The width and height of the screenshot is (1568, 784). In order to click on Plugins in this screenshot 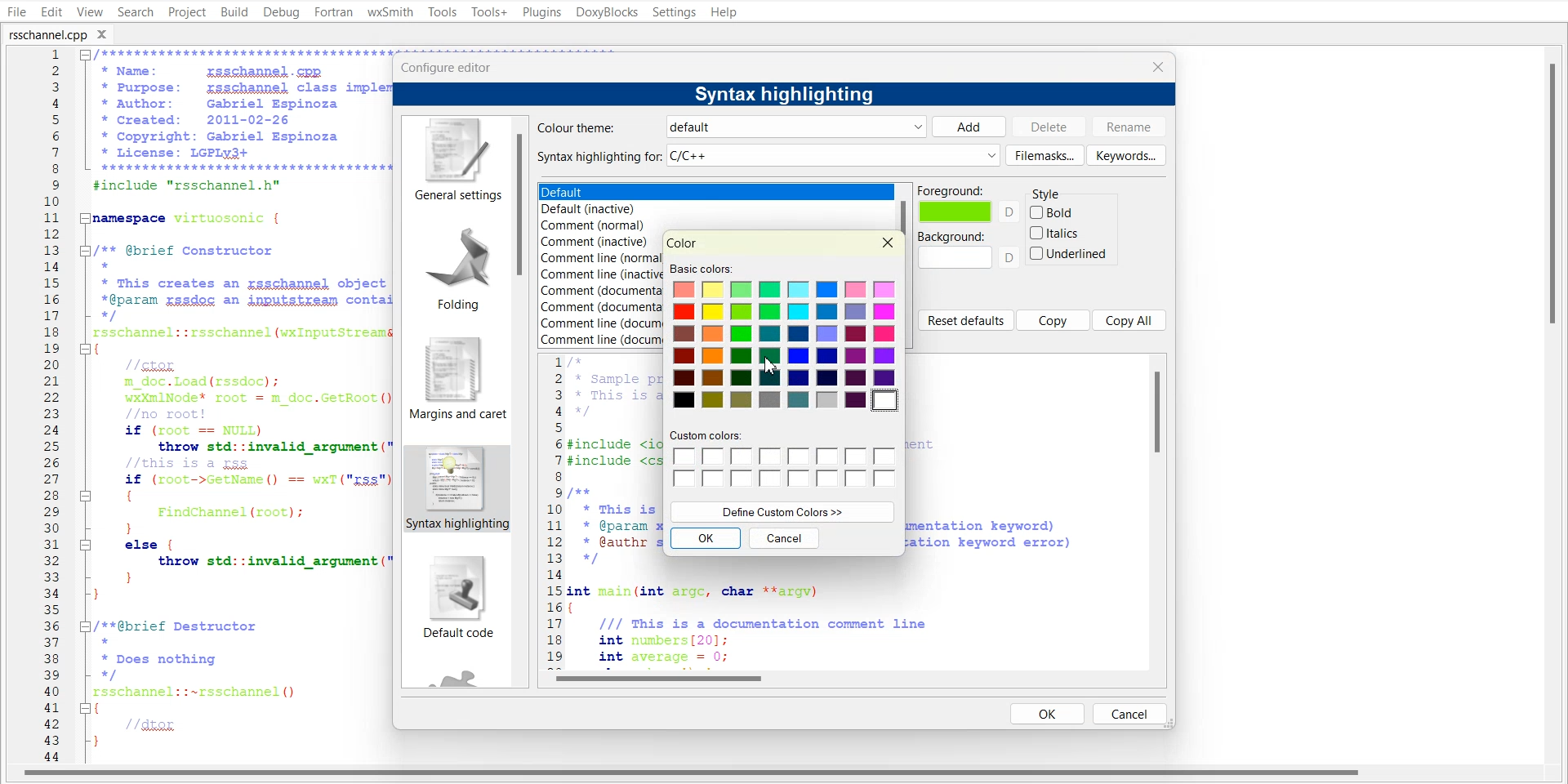, I will do `click(541, 11)`.